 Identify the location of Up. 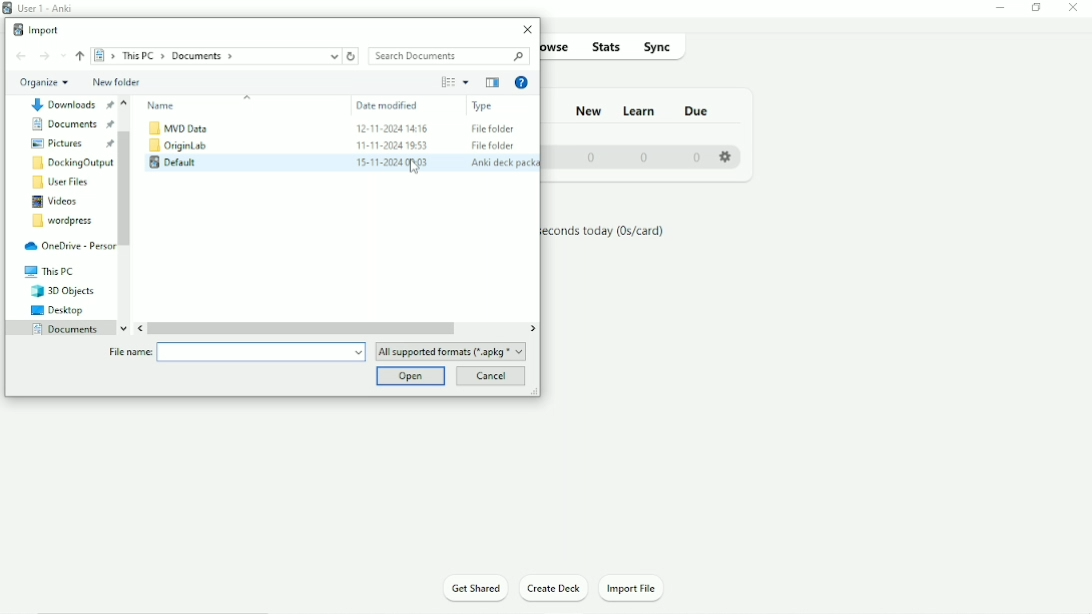
(128, 103).